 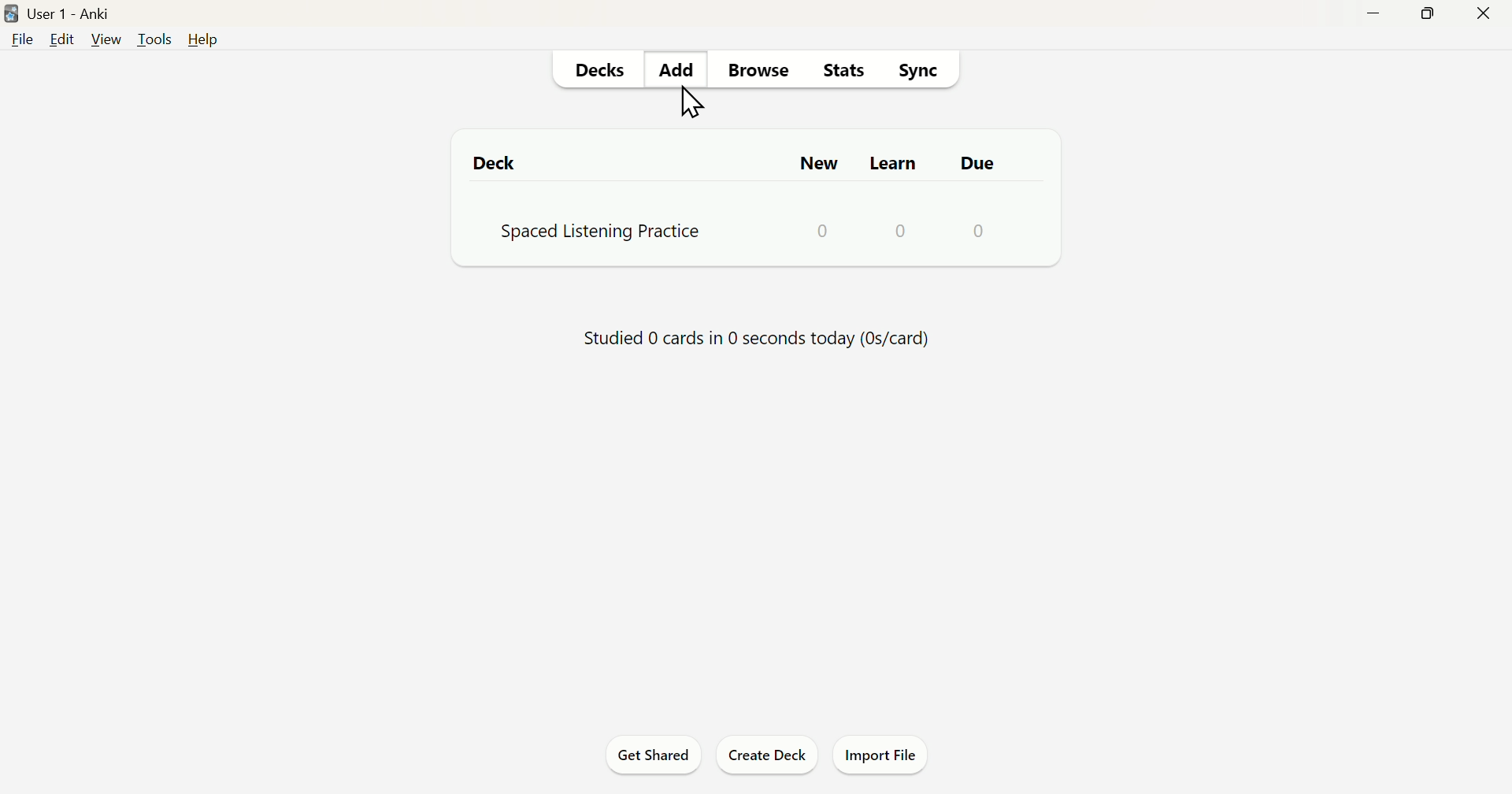 What do you see at coordinates (21, 43) in the screenshot?
I see `File` at bounding box center [21, 43].